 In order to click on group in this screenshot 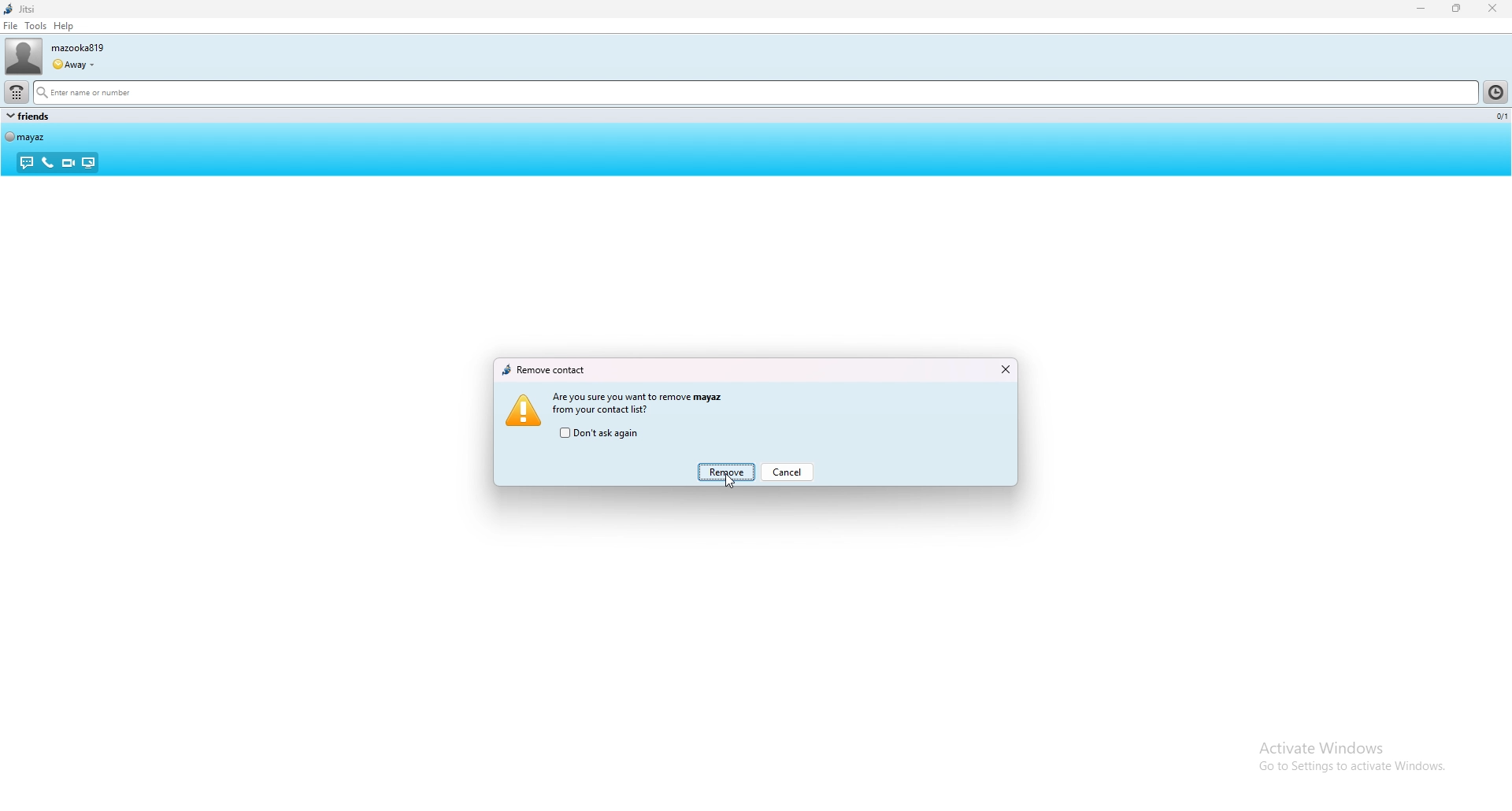, I will do `click(28, 116)`.